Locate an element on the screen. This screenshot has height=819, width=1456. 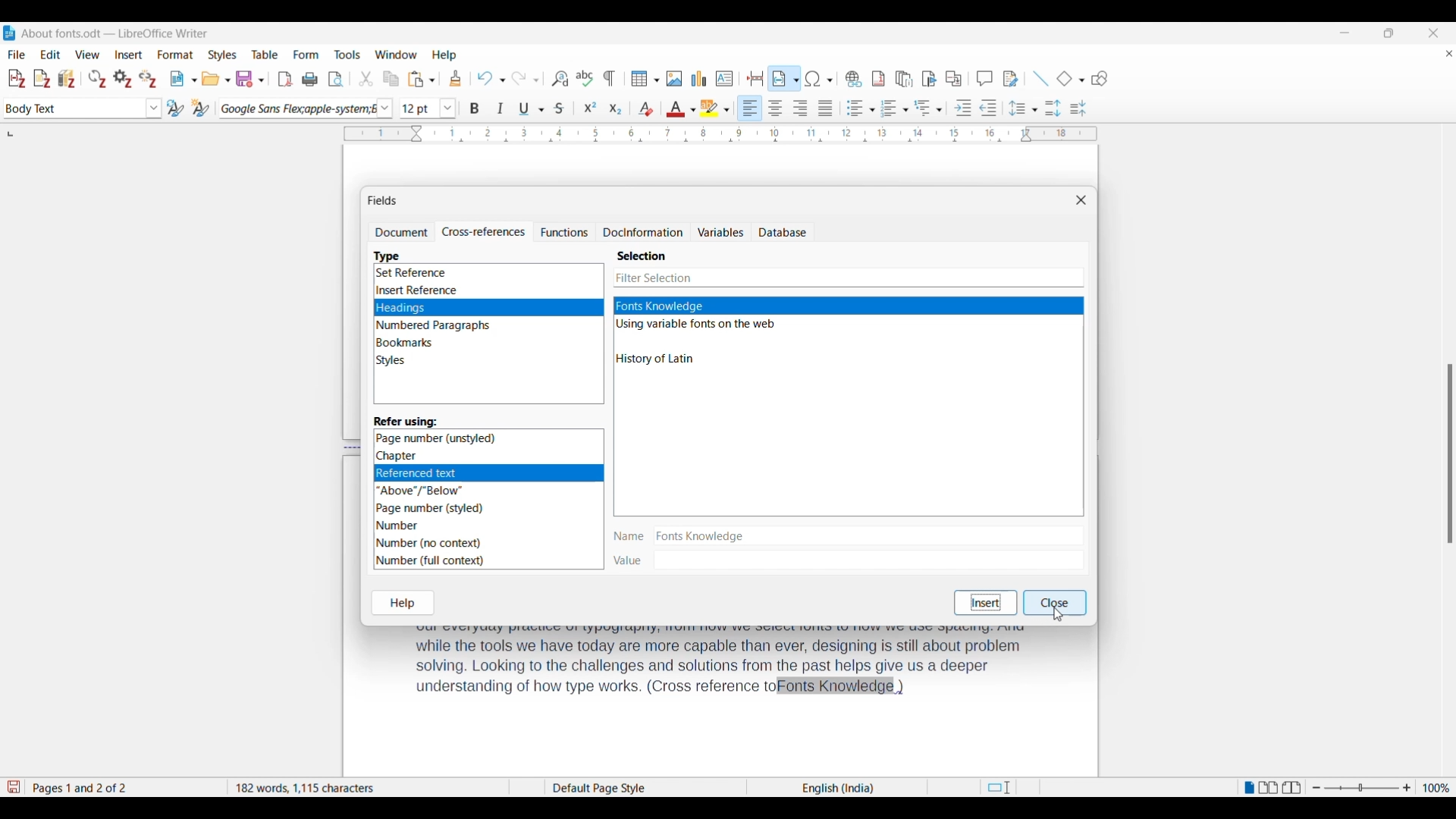
Close document is located at coordinates (1449, 56).